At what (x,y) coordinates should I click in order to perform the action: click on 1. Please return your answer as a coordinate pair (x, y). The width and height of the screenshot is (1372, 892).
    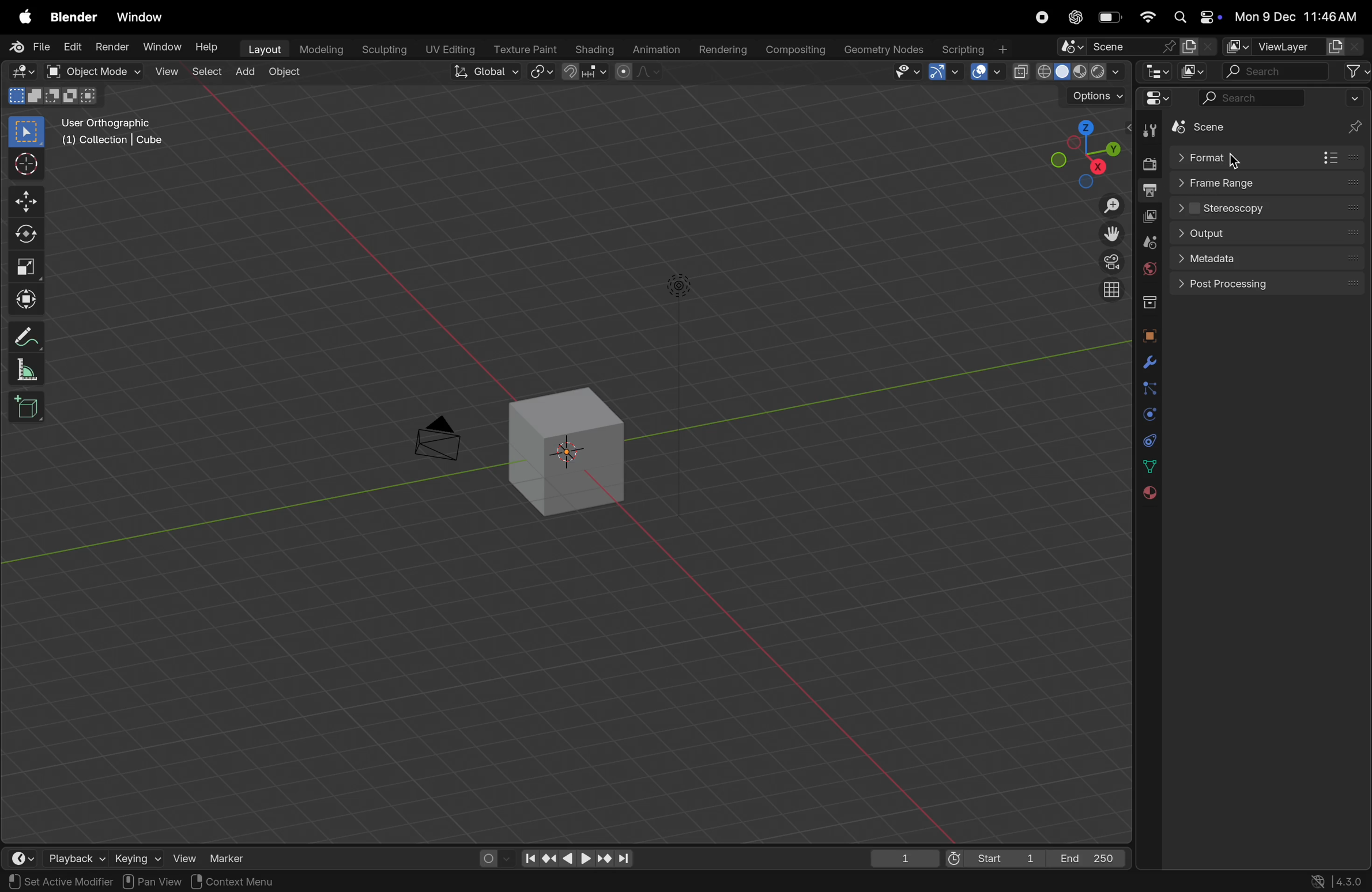
    Looking at the image, I should click on (898, 857).